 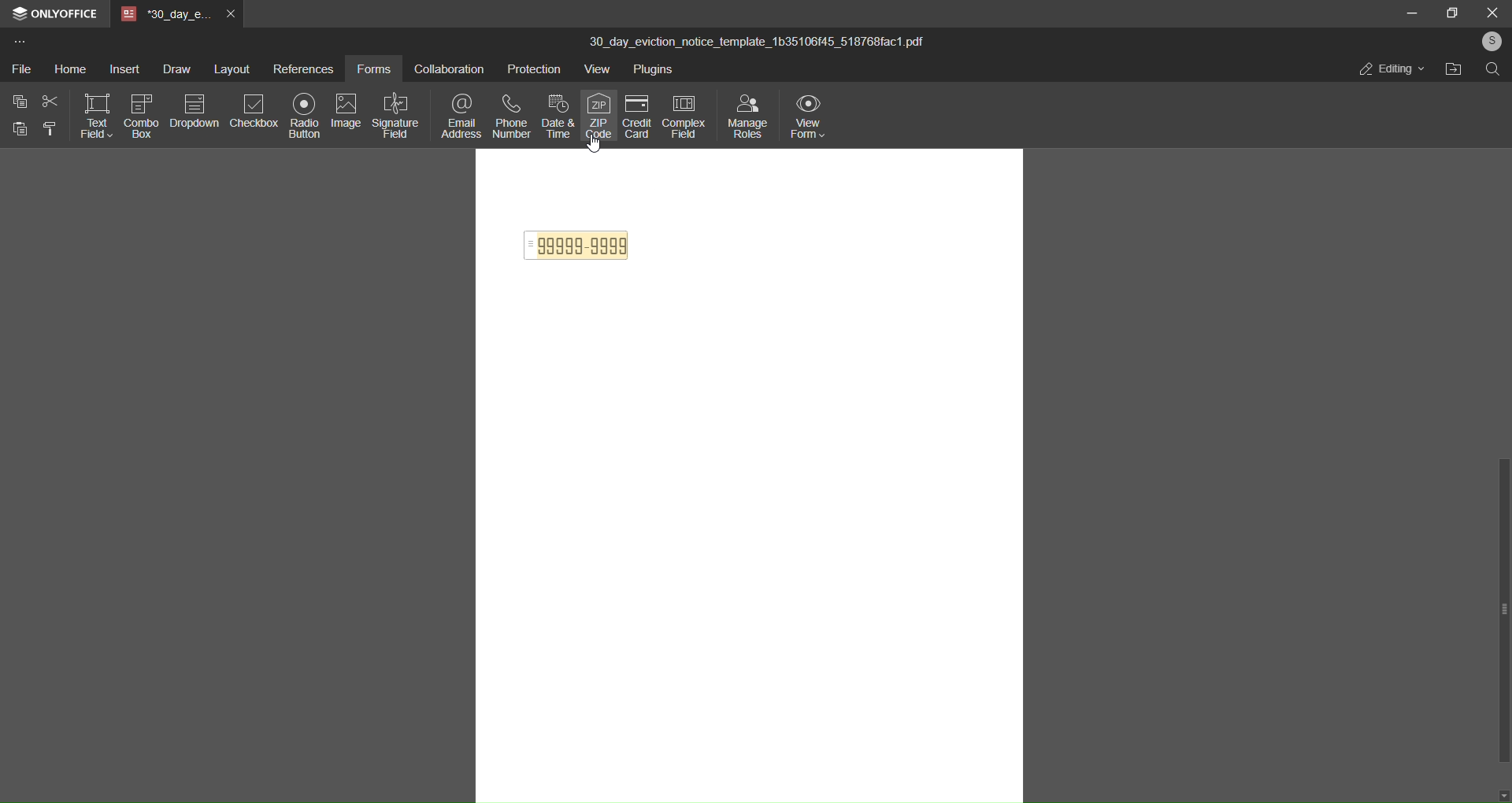 I want to click on file, so click(x=20, y=68).